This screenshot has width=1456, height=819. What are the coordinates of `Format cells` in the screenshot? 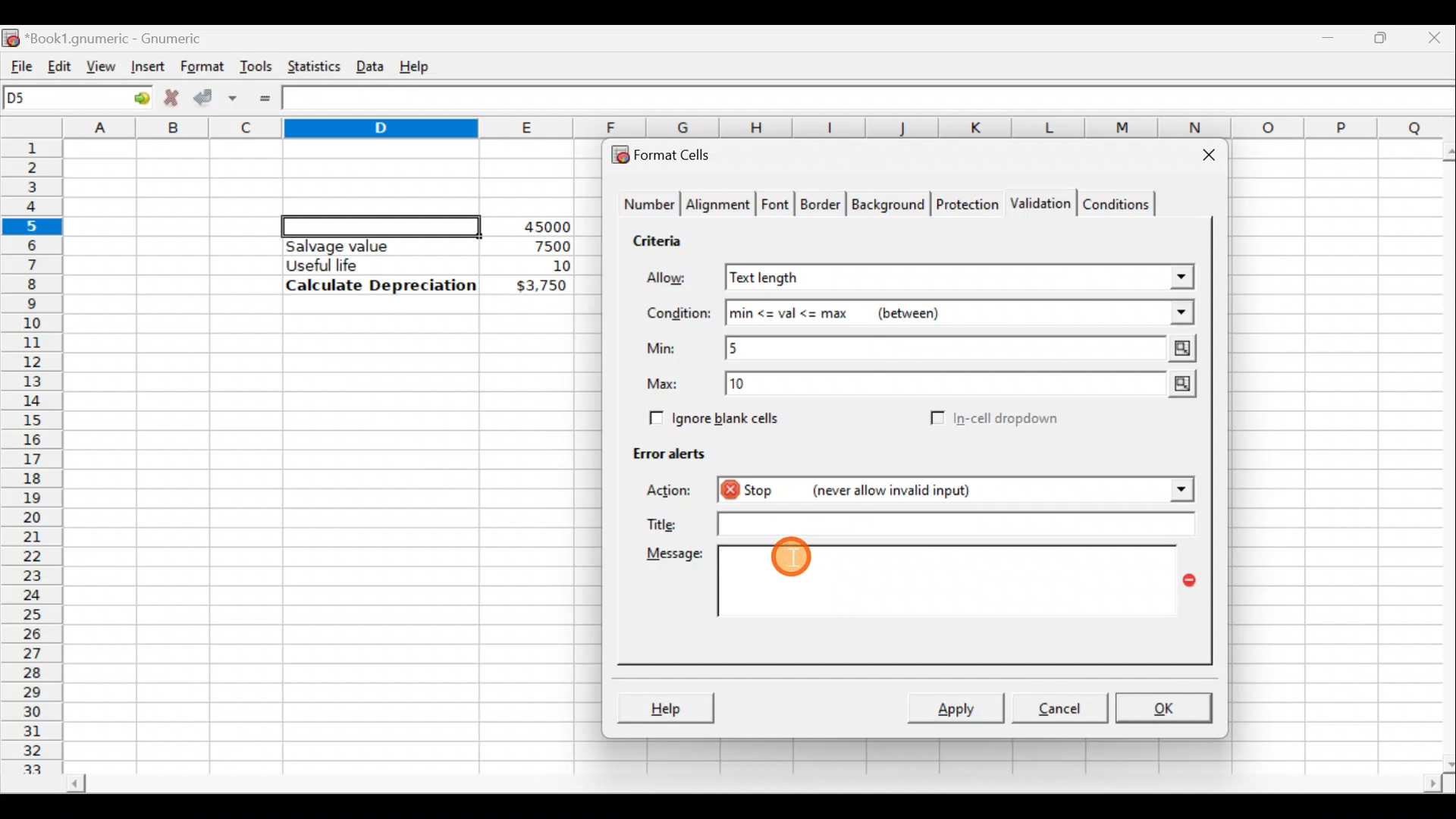 It's located at (670, 152).